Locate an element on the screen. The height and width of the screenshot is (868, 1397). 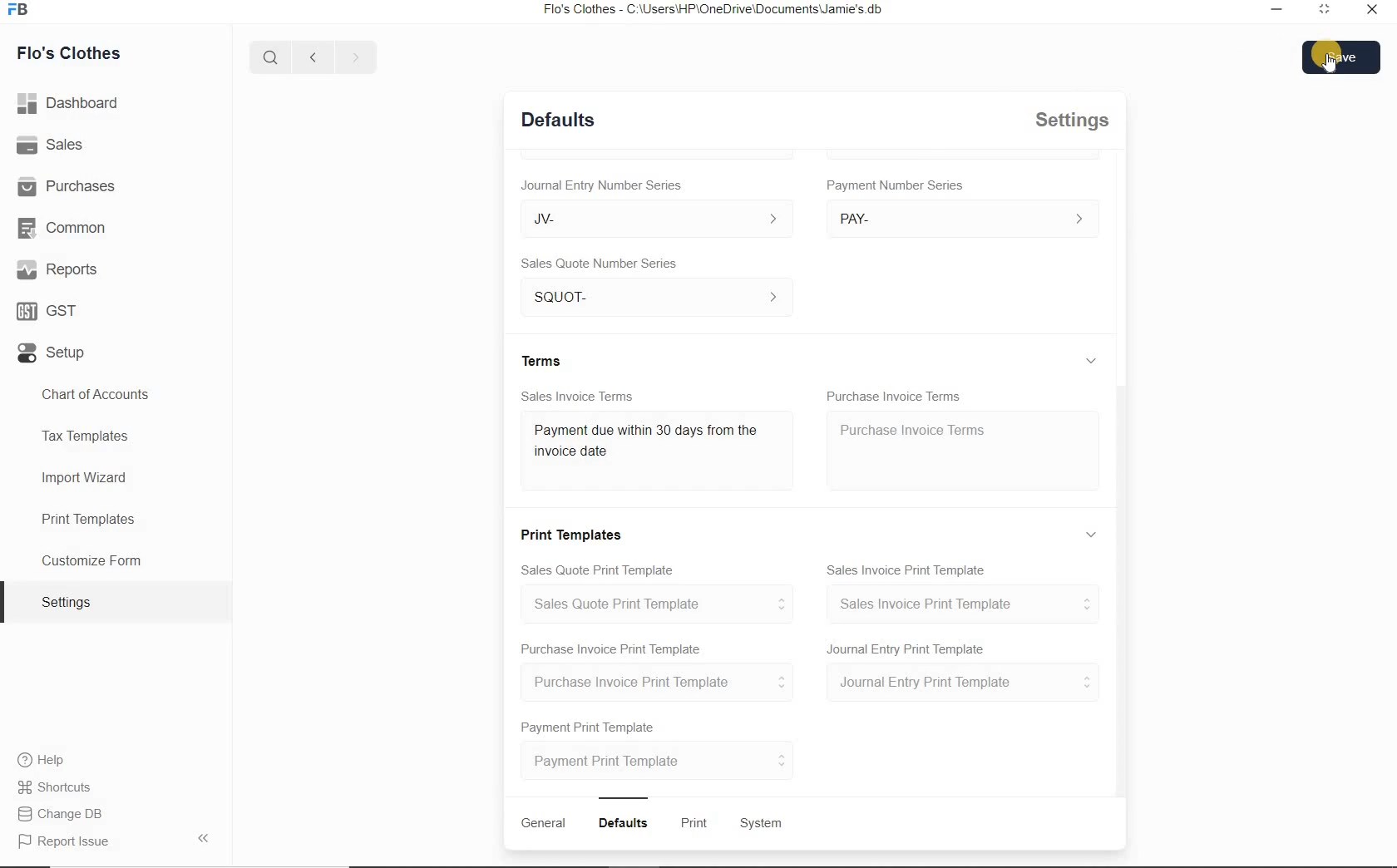
Settings is located at coordinates (116, 601).